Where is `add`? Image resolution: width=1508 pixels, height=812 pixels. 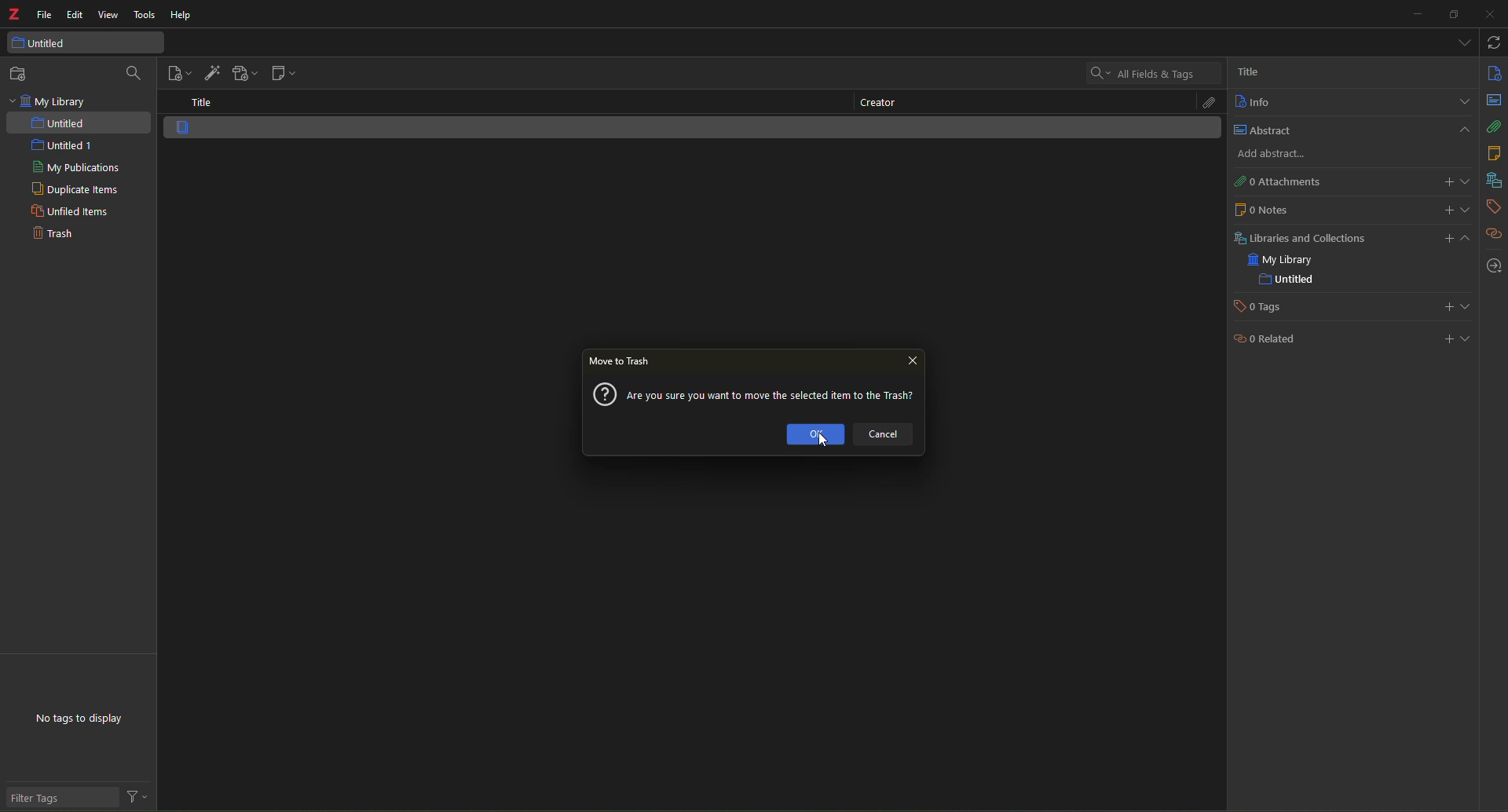
add is located at coordinates (1446, 307).